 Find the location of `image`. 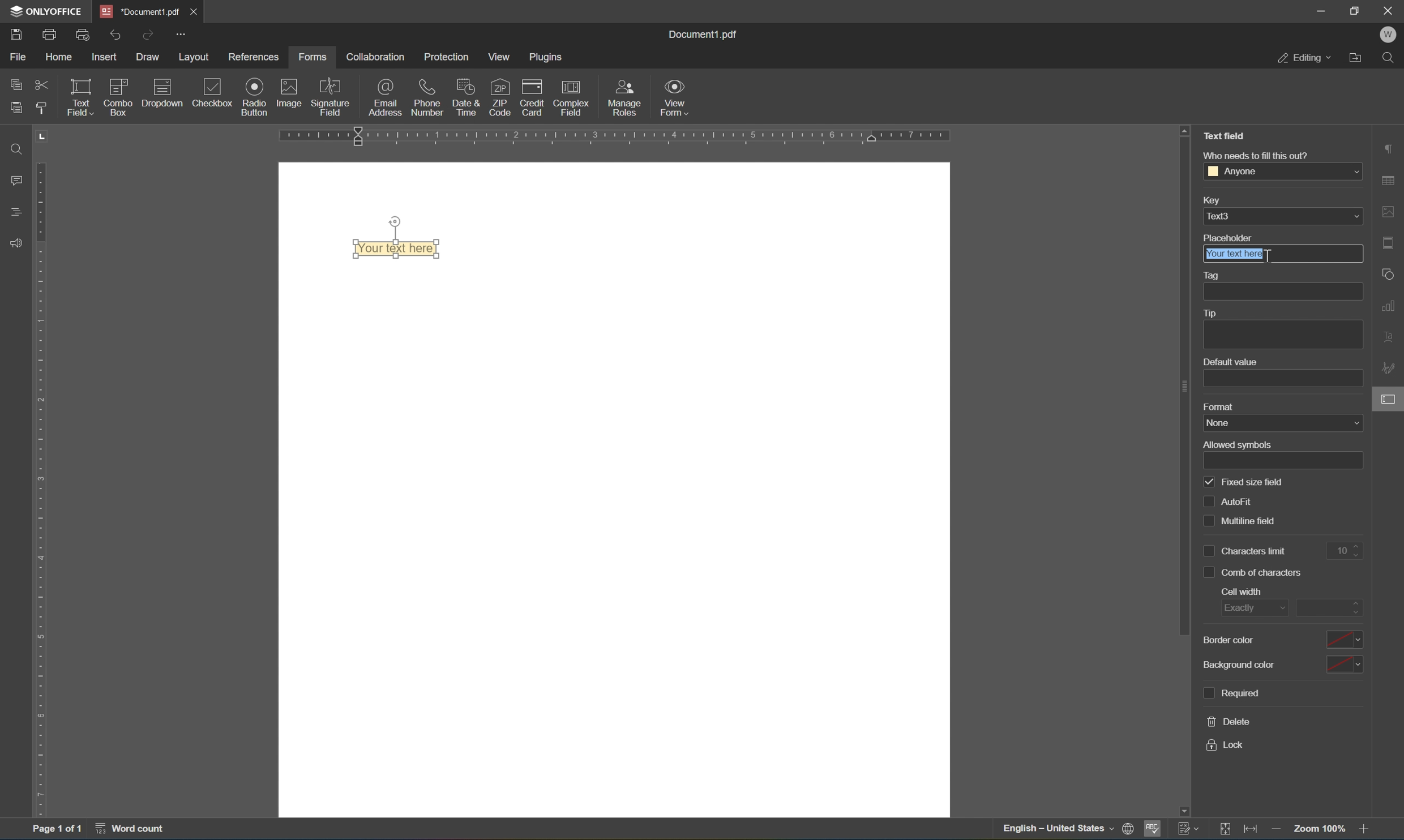

image is located at coordinates (288, 92).